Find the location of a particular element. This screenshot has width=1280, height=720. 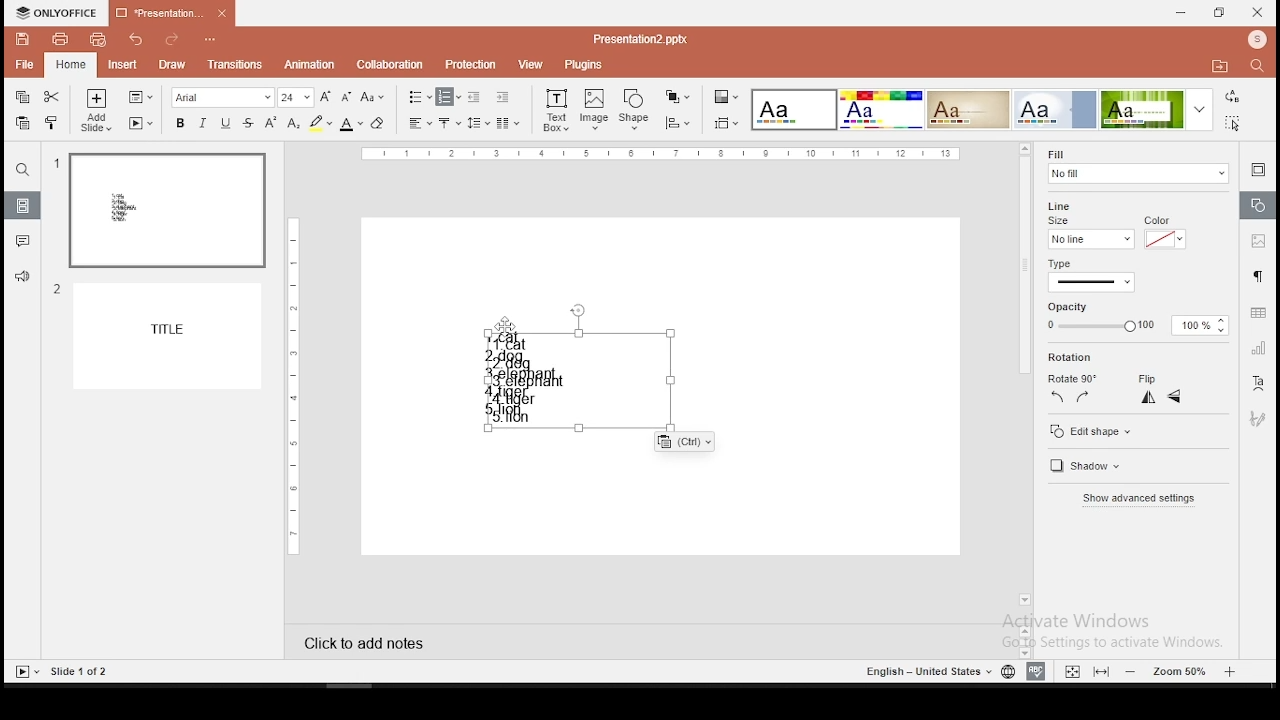

save is located at coordinates (22, 38).